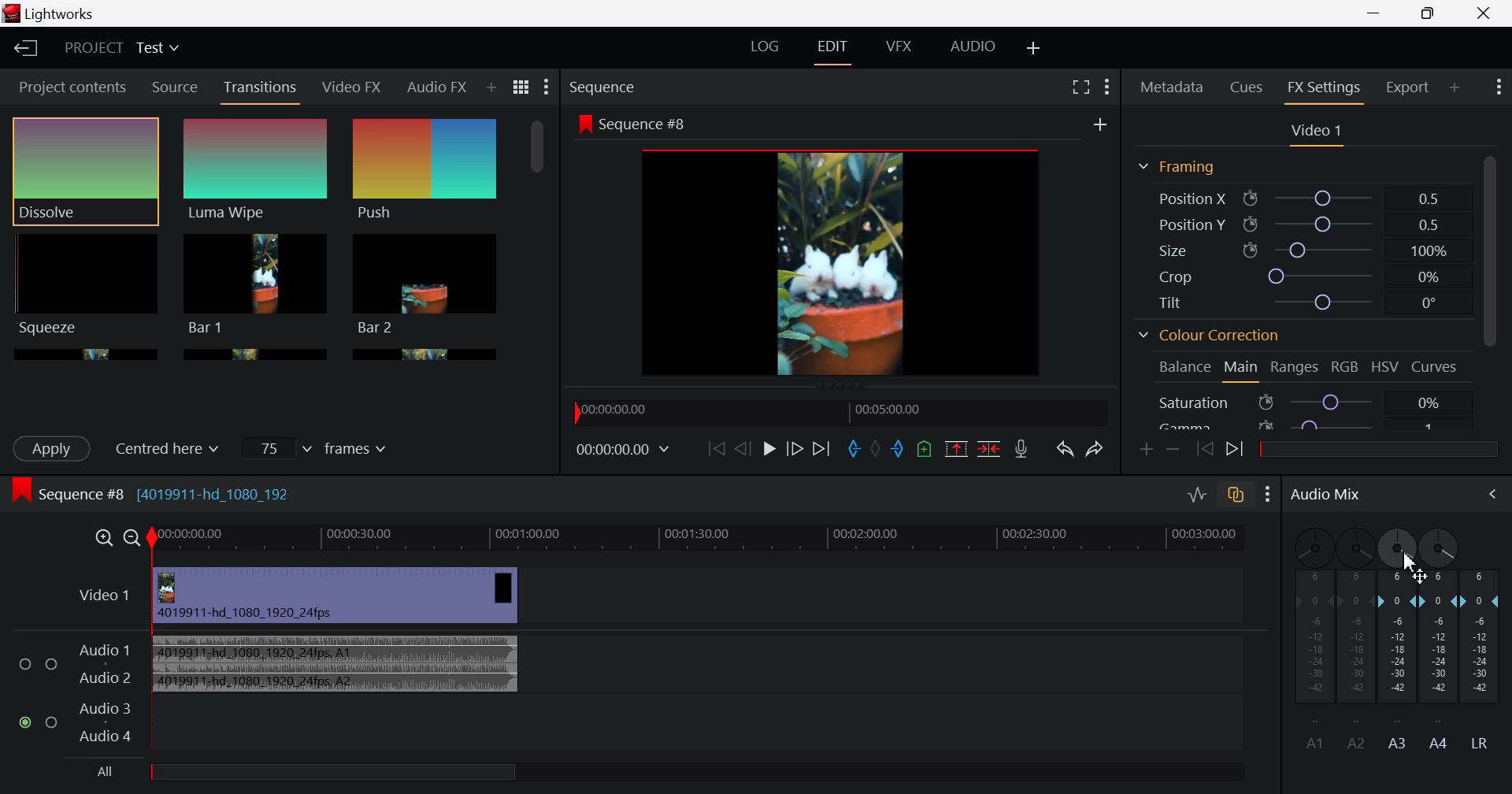 The image size is (1512, 794). What do you see at coordinates (1247, 87) in the screenshot?
I see `Cues` at bounding box center [1247, 87].